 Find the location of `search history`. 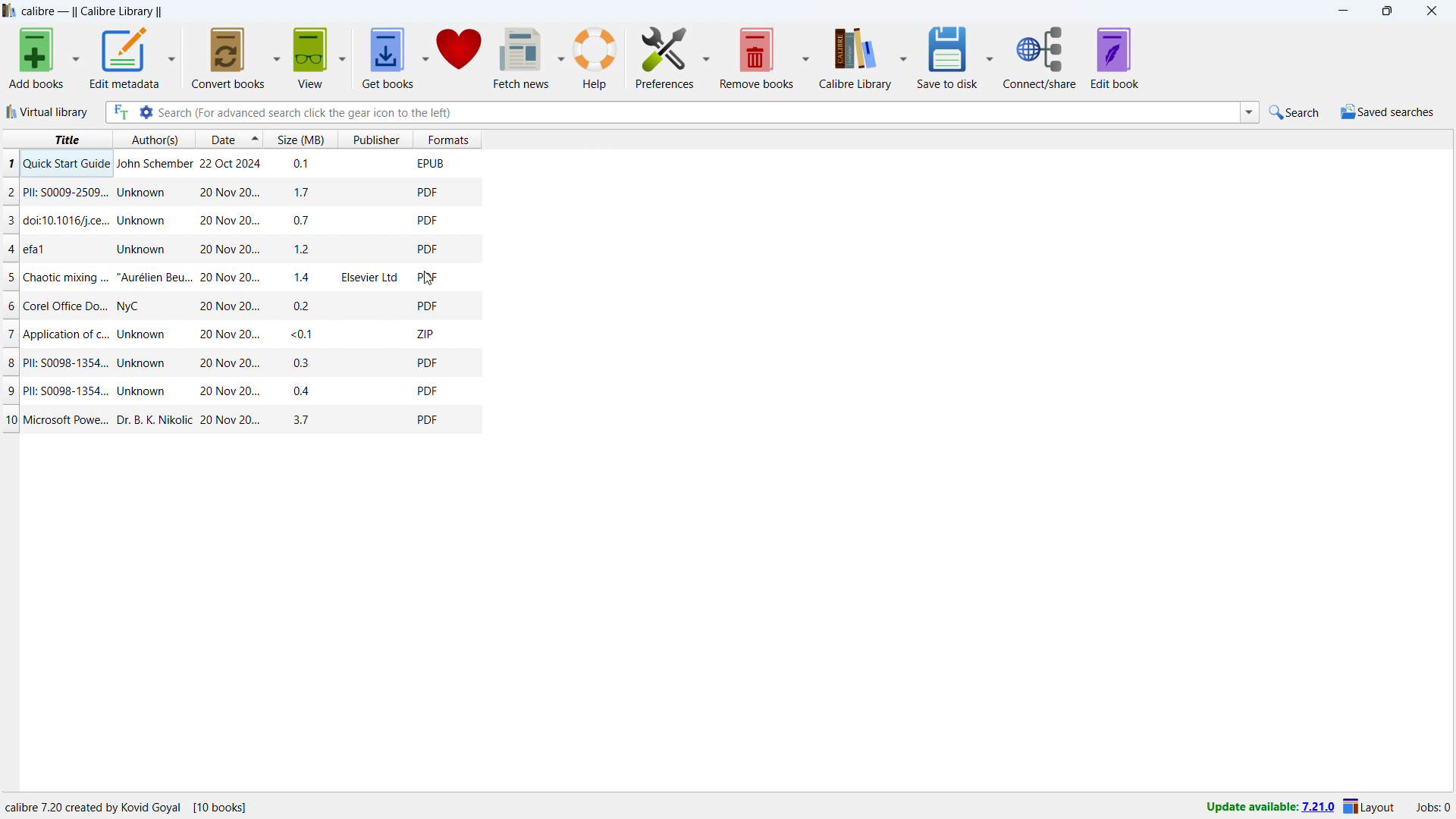

search history is located at coordinates (1250, 111).